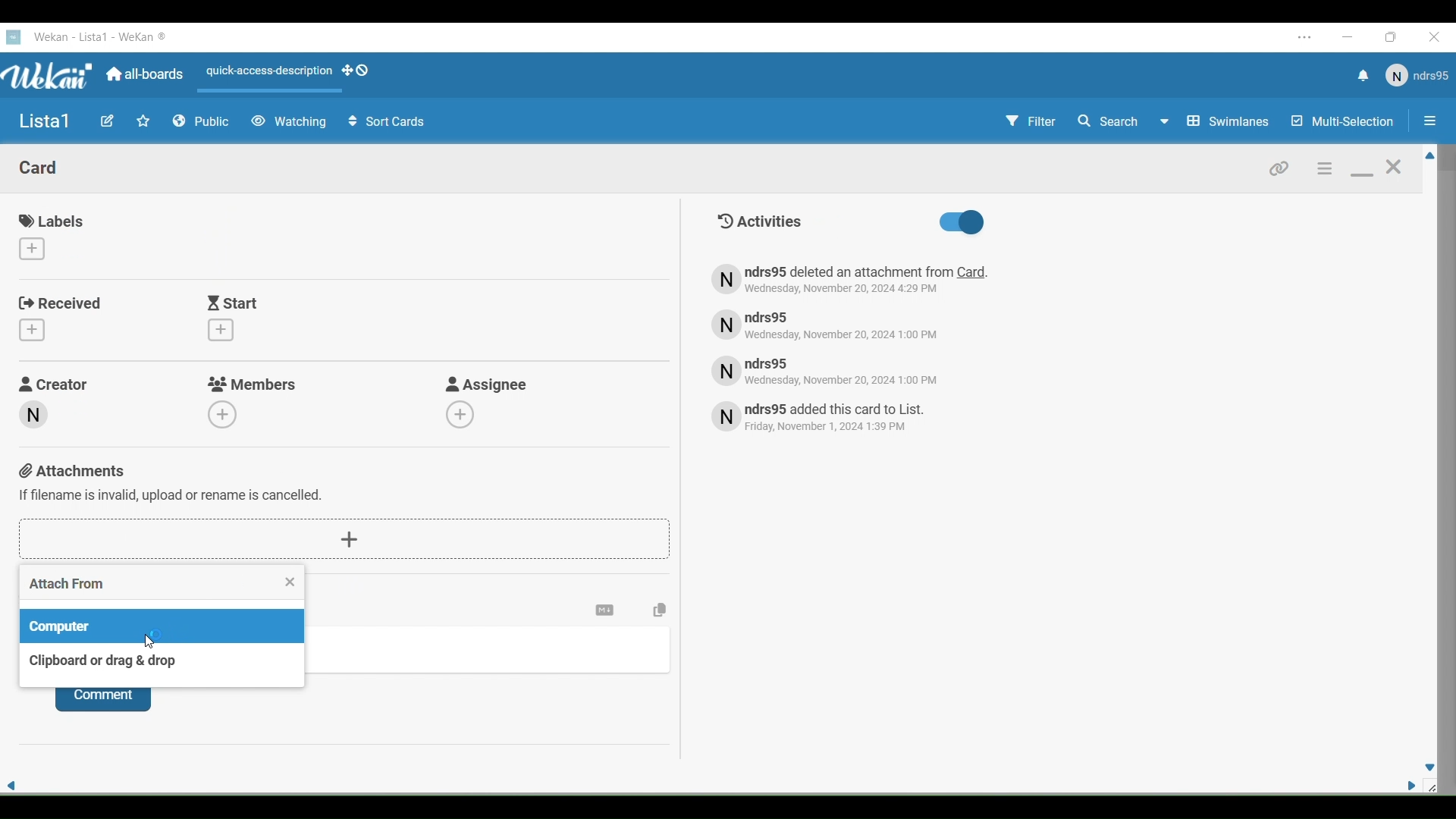  What do you see at coordinates (1427, 123) in the screenshot?
I see `Option` at bounding box center [1427, 123].